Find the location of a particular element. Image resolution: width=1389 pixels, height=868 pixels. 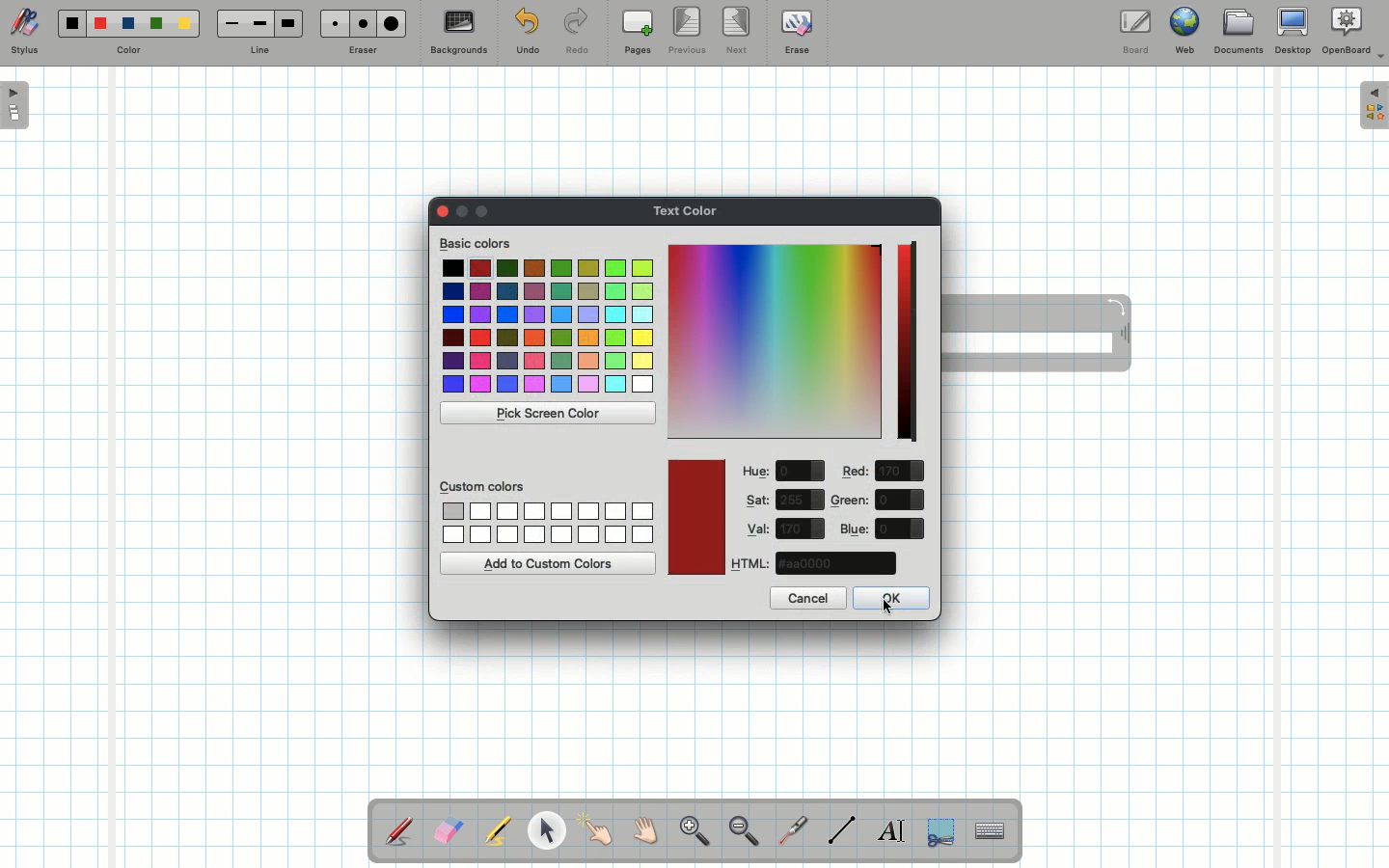

Small eraser is located at coordinates (330, 23).